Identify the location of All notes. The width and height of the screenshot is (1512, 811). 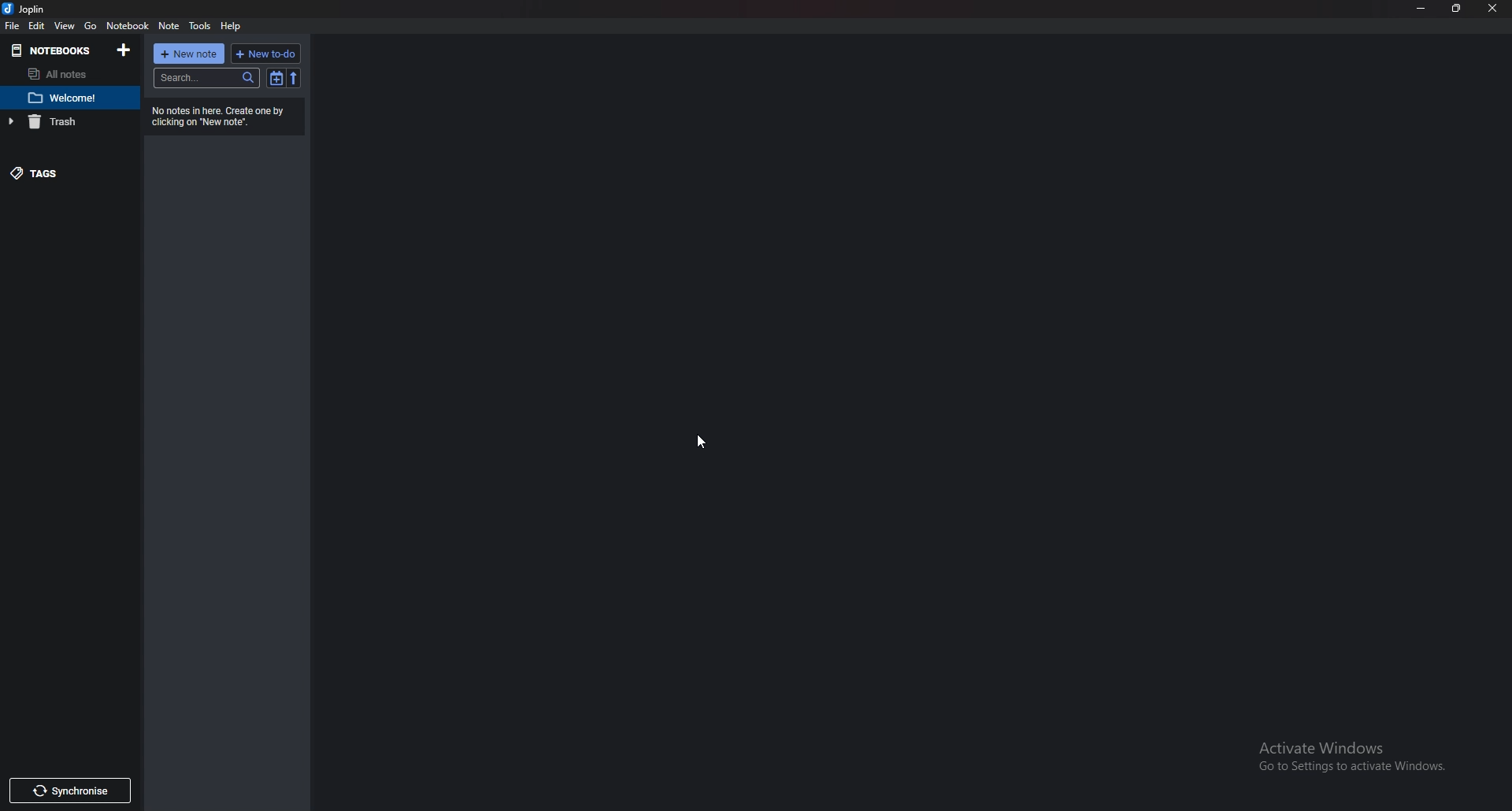
(68, 74).